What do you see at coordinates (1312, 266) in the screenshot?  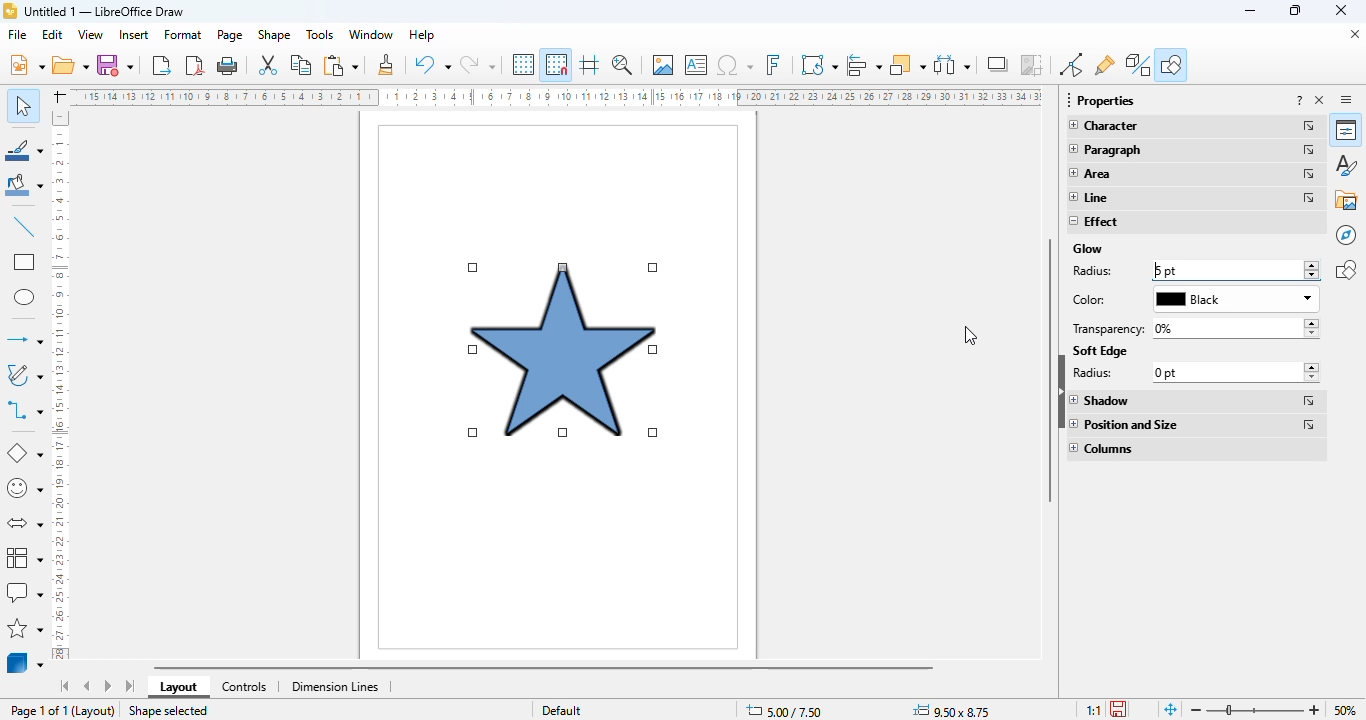 I see `increase` at bounding box center [1312, 266].